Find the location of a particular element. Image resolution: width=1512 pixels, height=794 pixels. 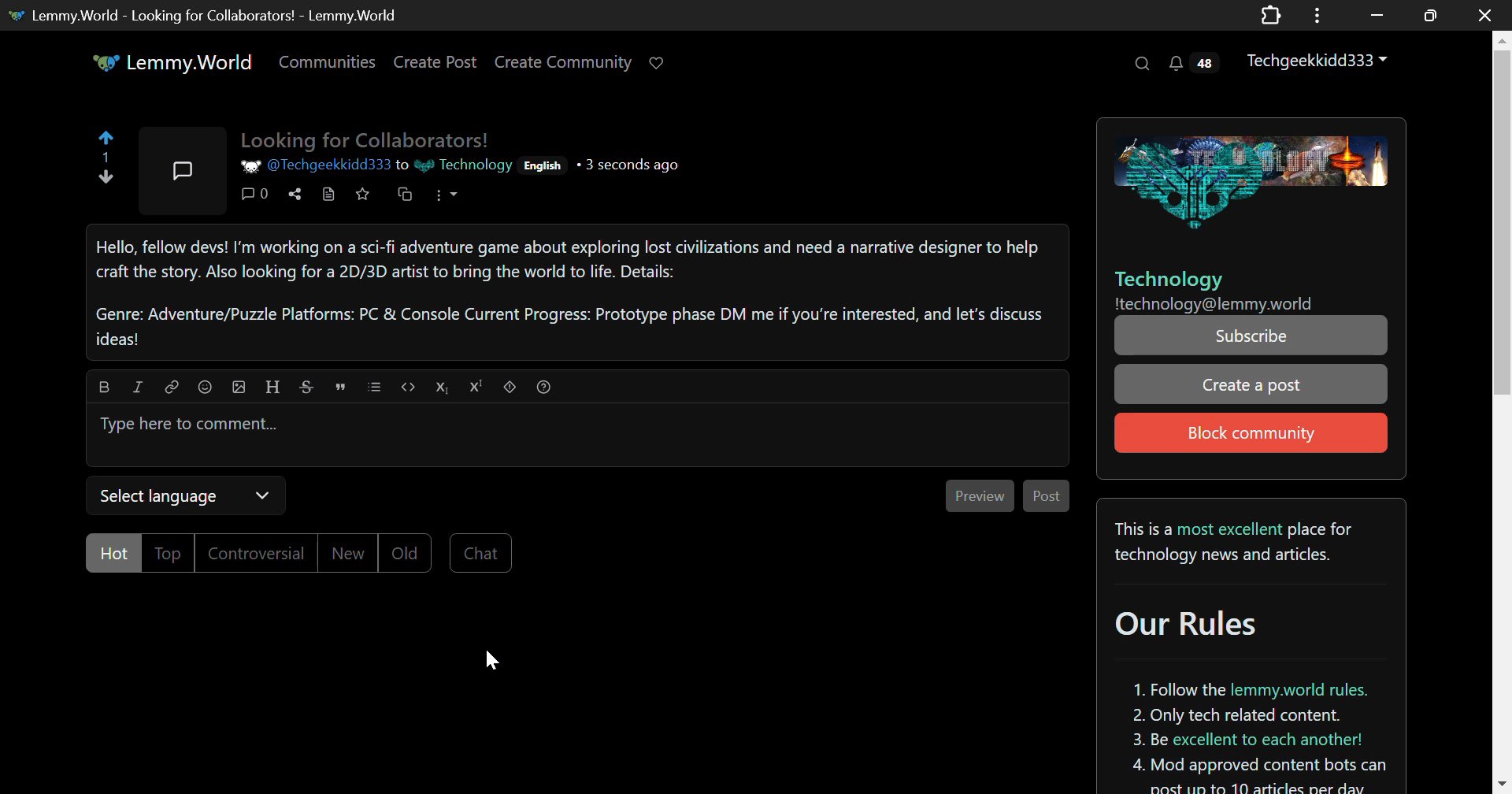

Technology is located at coordinates (1168, 280).